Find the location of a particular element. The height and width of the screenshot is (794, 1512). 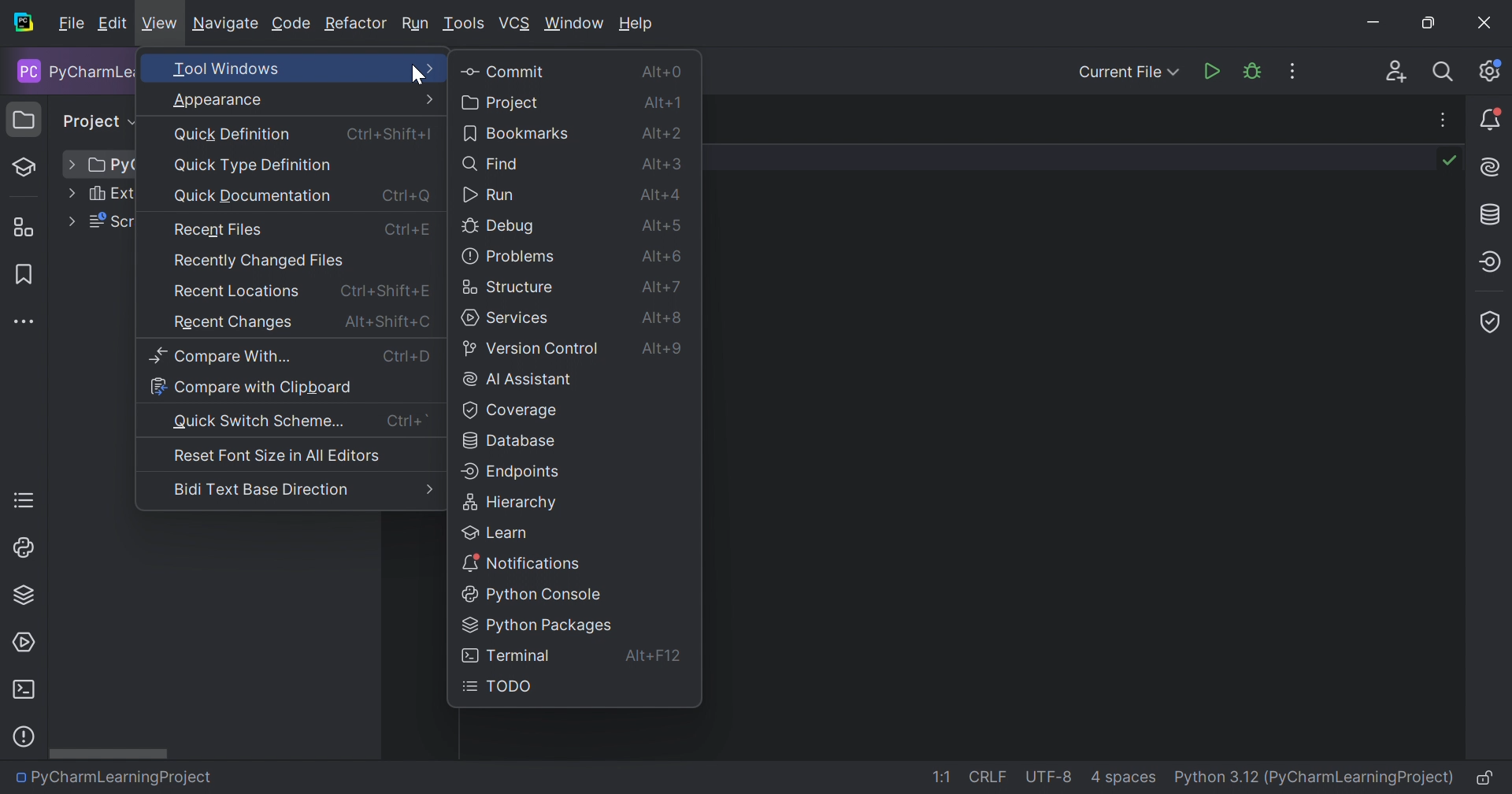

Updates available. IDE and project settings is located at coordinates (1492, 70).